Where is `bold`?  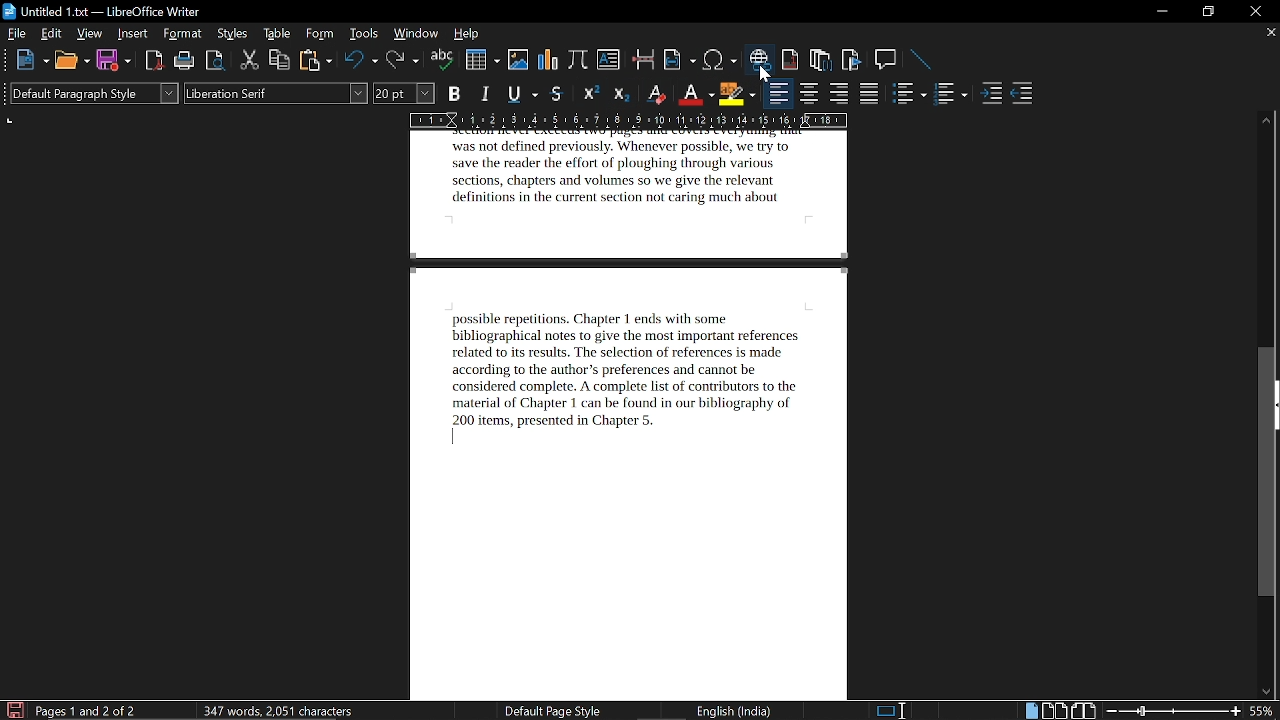
bold is located at coordinates (455, 94).